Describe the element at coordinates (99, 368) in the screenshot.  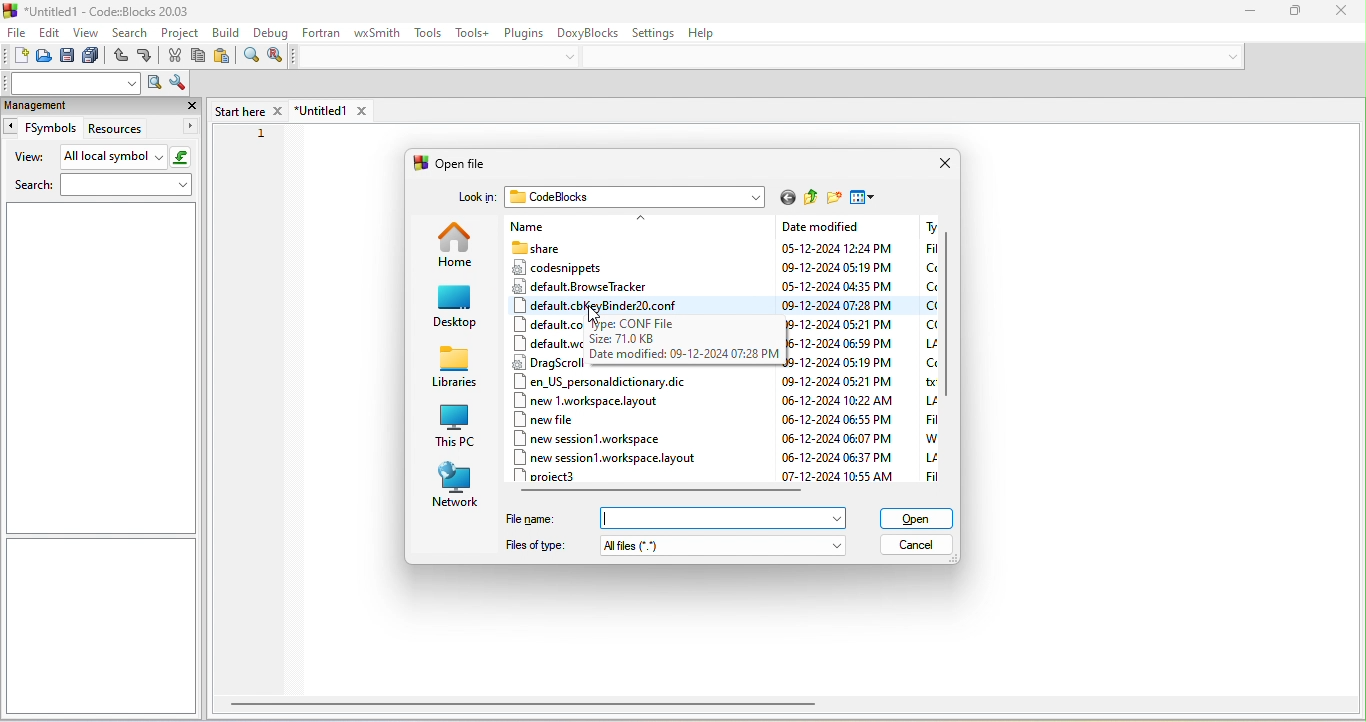
I see `sidebar` at that location.